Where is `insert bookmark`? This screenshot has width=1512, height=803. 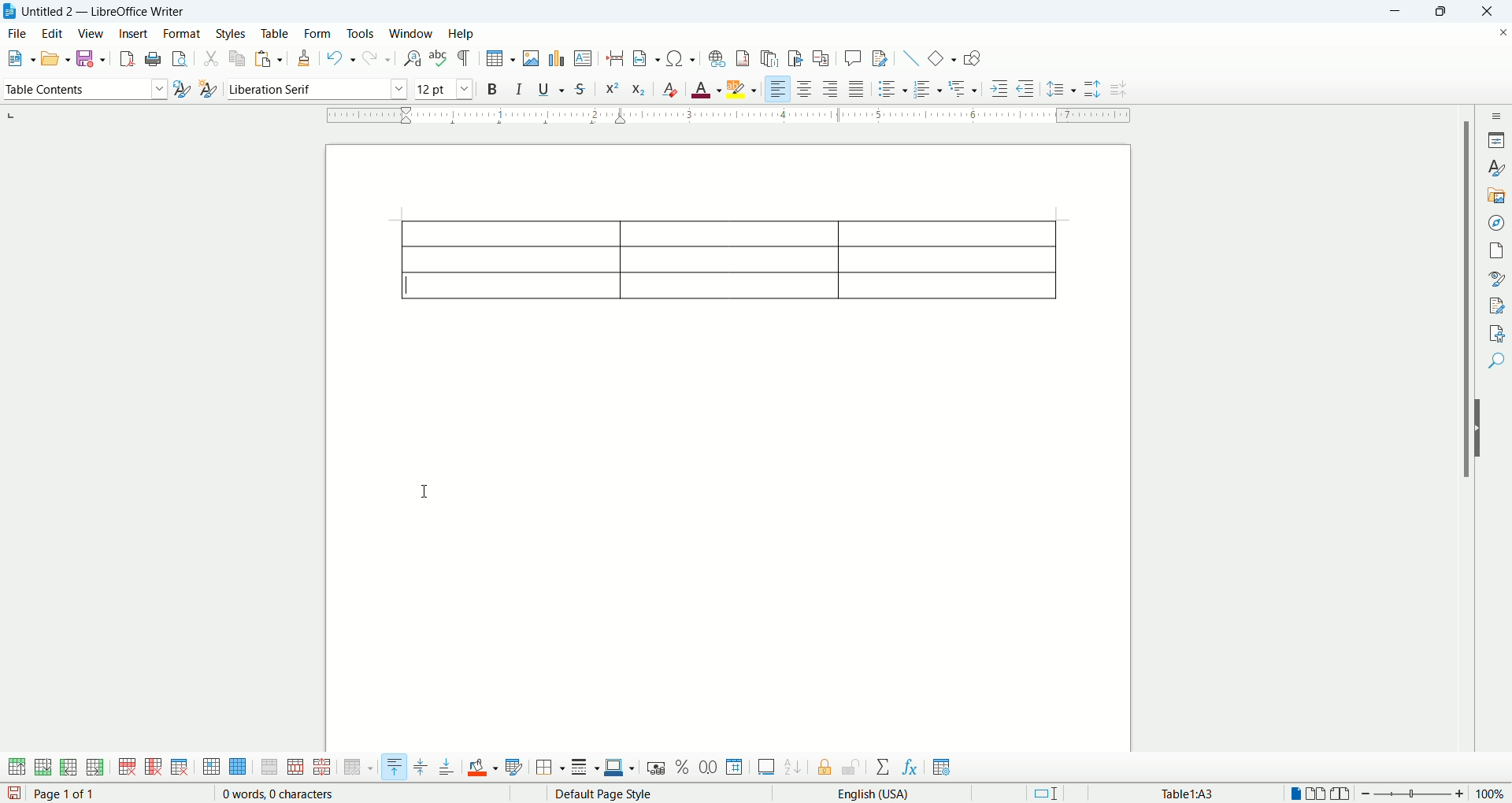
insert bookmark is located at coordinates (795, 59).